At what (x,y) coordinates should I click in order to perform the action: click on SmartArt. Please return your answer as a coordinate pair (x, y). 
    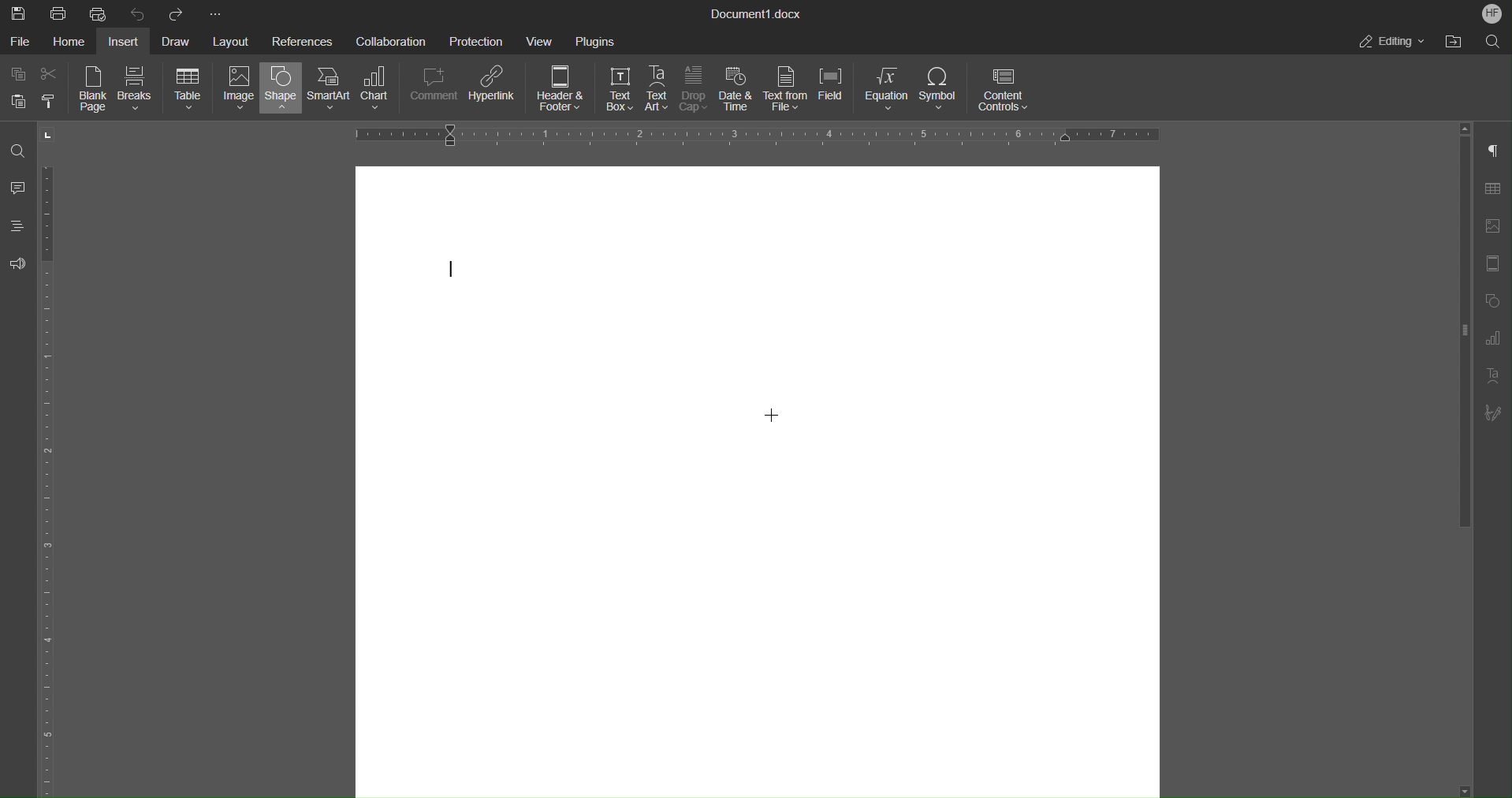
    Looking at the image, I should click on (331, 90).